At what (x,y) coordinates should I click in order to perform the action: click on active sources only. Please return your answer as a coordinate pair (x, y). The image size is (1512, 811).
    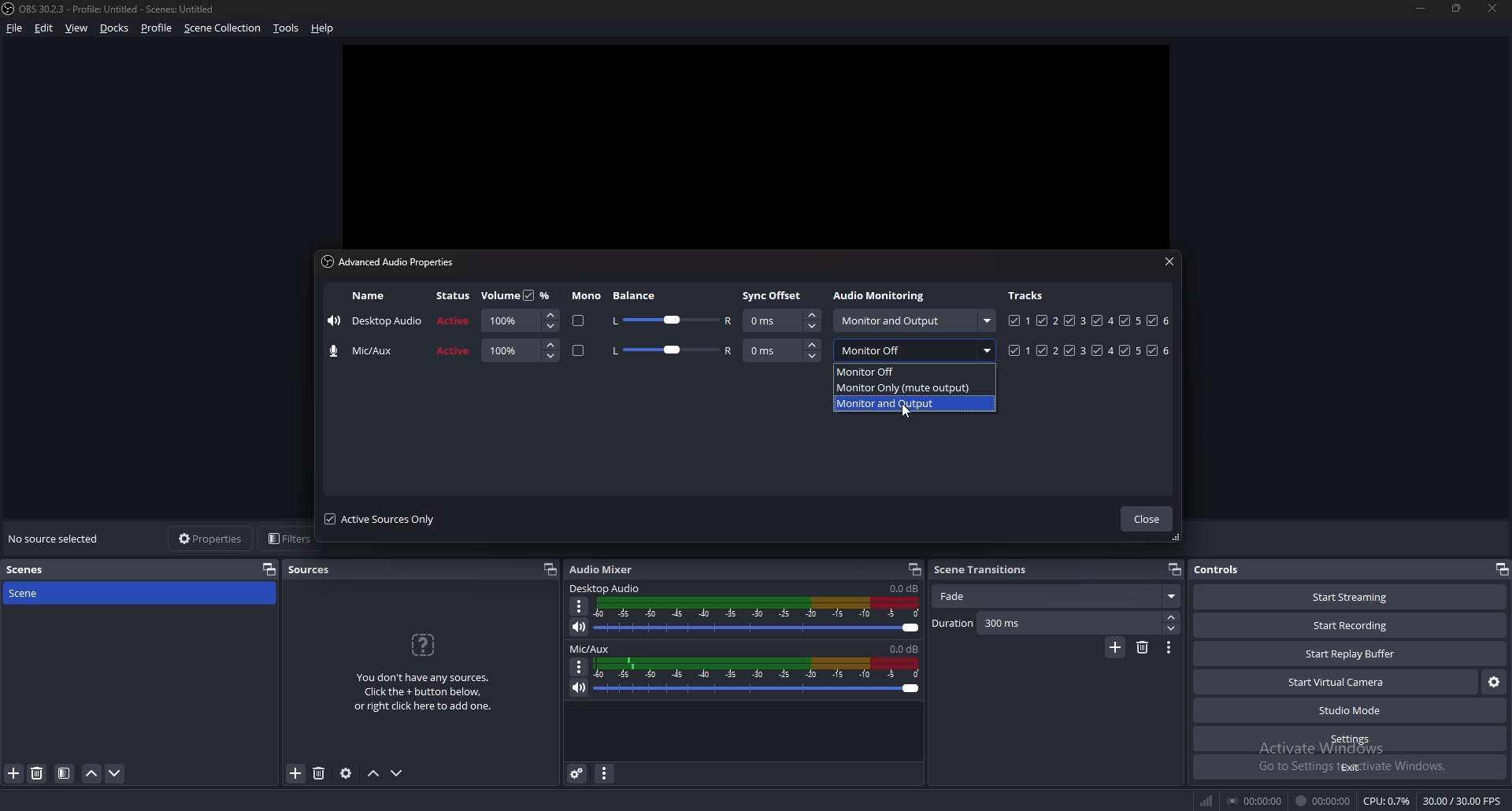
    Looking at the image, I should click on (386, 520).